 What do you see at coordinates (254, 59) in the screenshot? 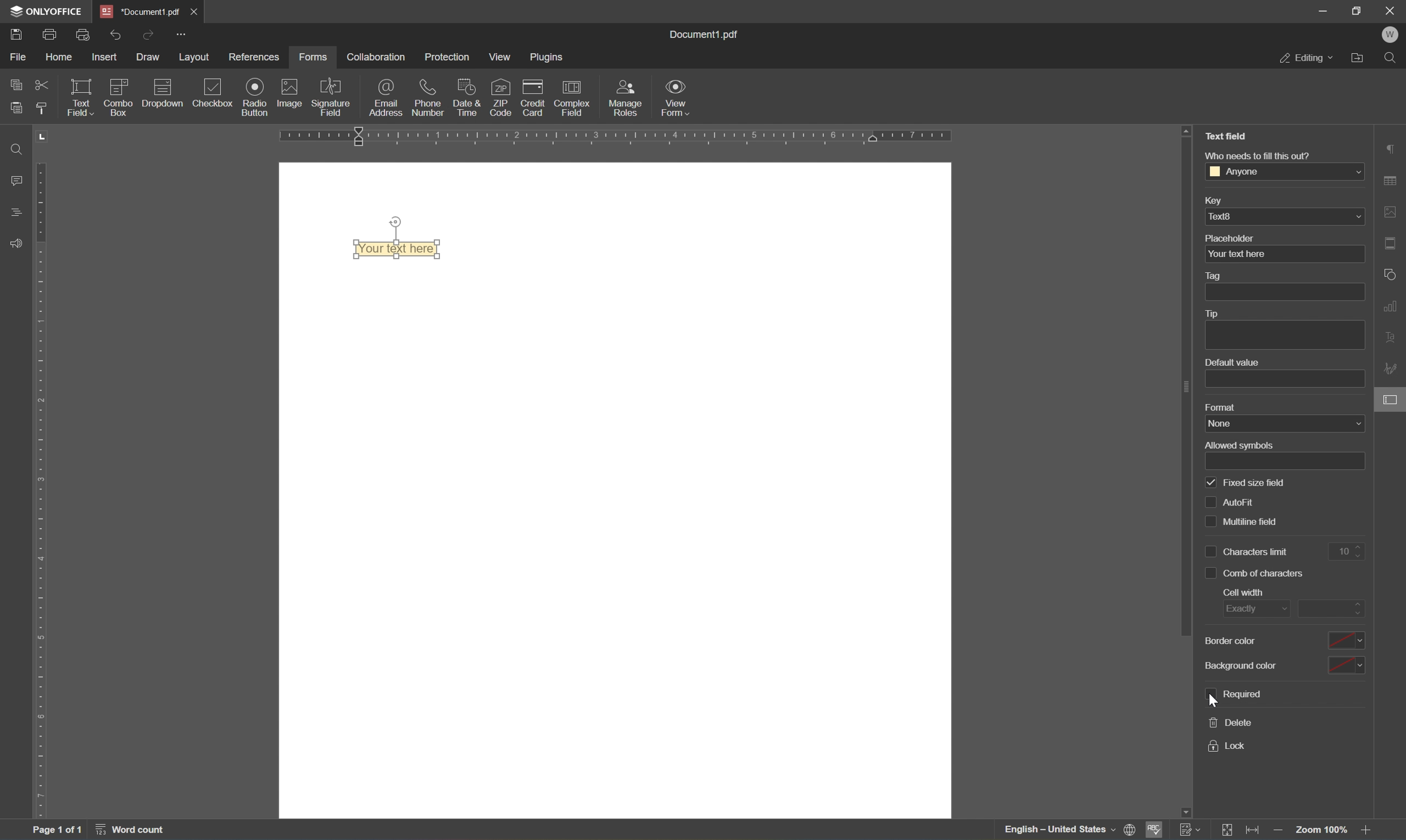
I see `references` at bounding box center [254, 59].